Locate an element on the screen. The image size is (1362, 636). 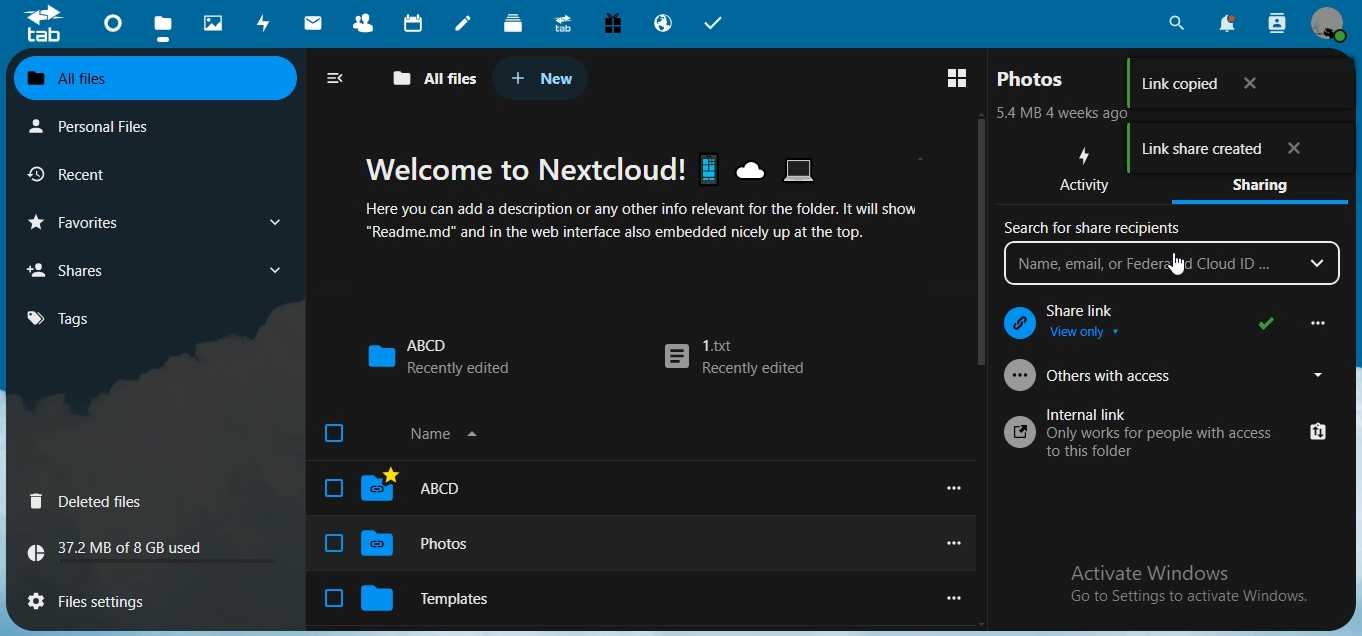
text is located at coordinates (124, 551).